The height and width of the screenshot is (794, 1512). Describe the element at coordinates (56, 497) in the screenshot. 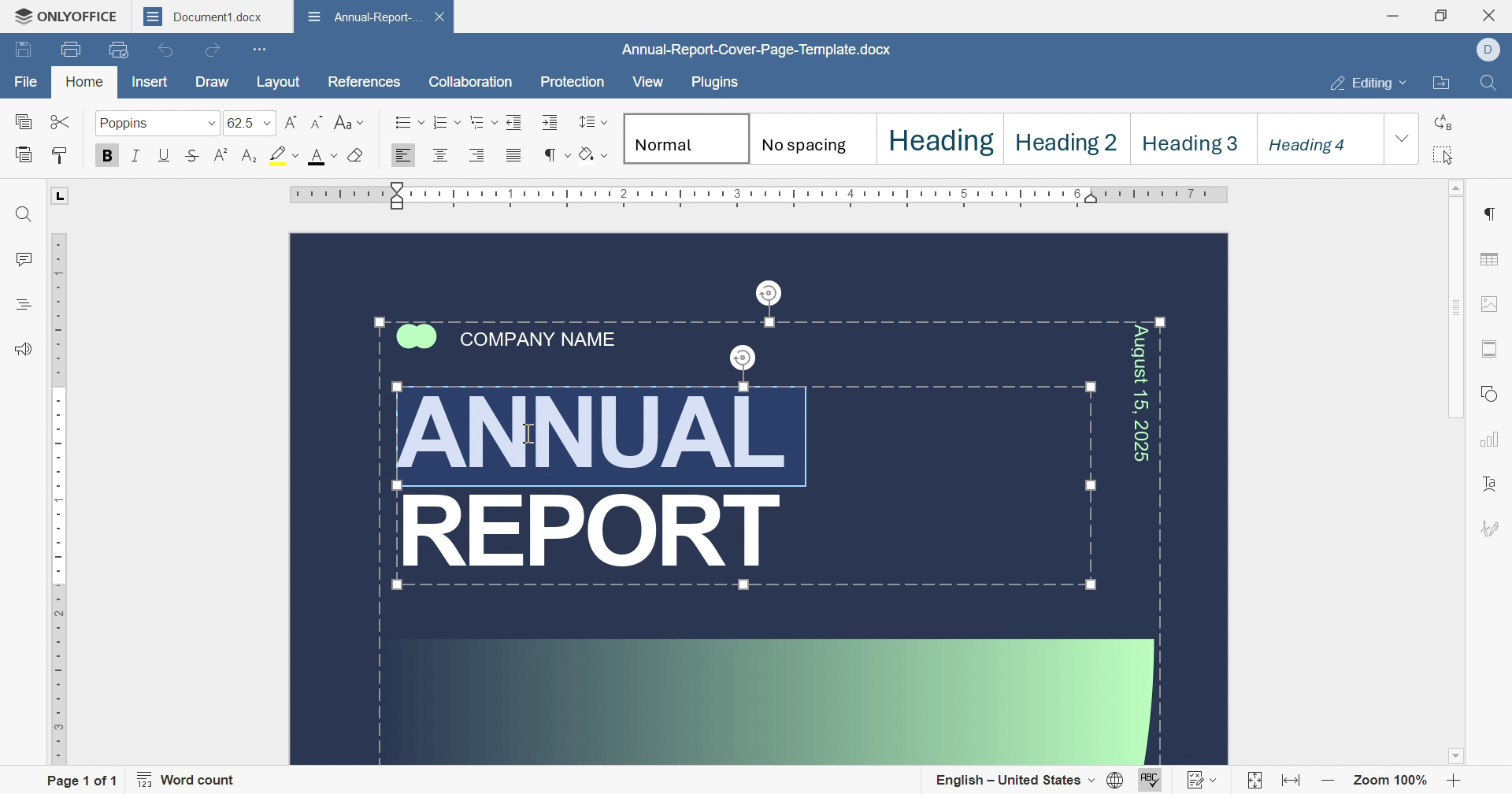

I see `ruler` at that location.